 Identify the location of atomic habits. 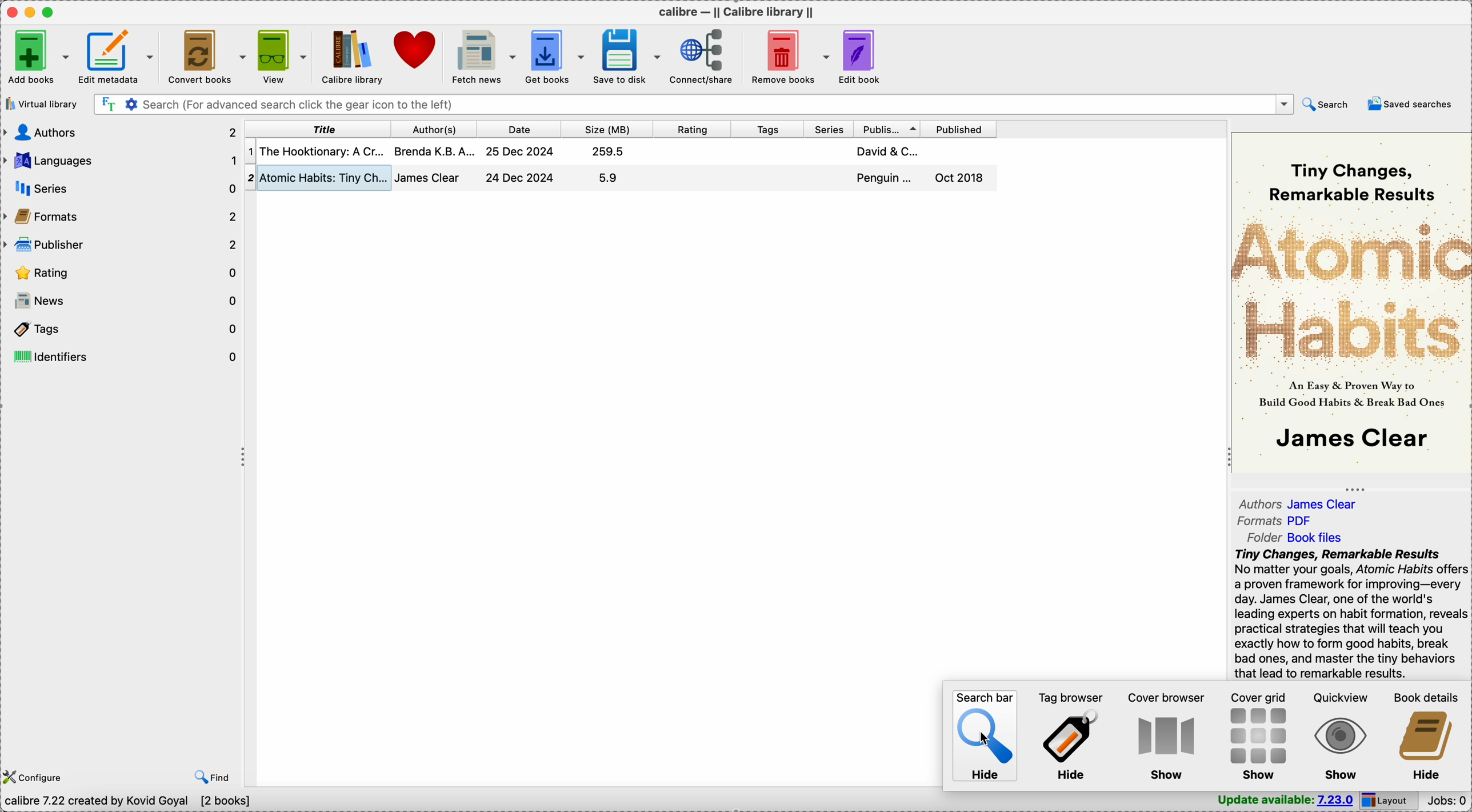
(1352, 291).